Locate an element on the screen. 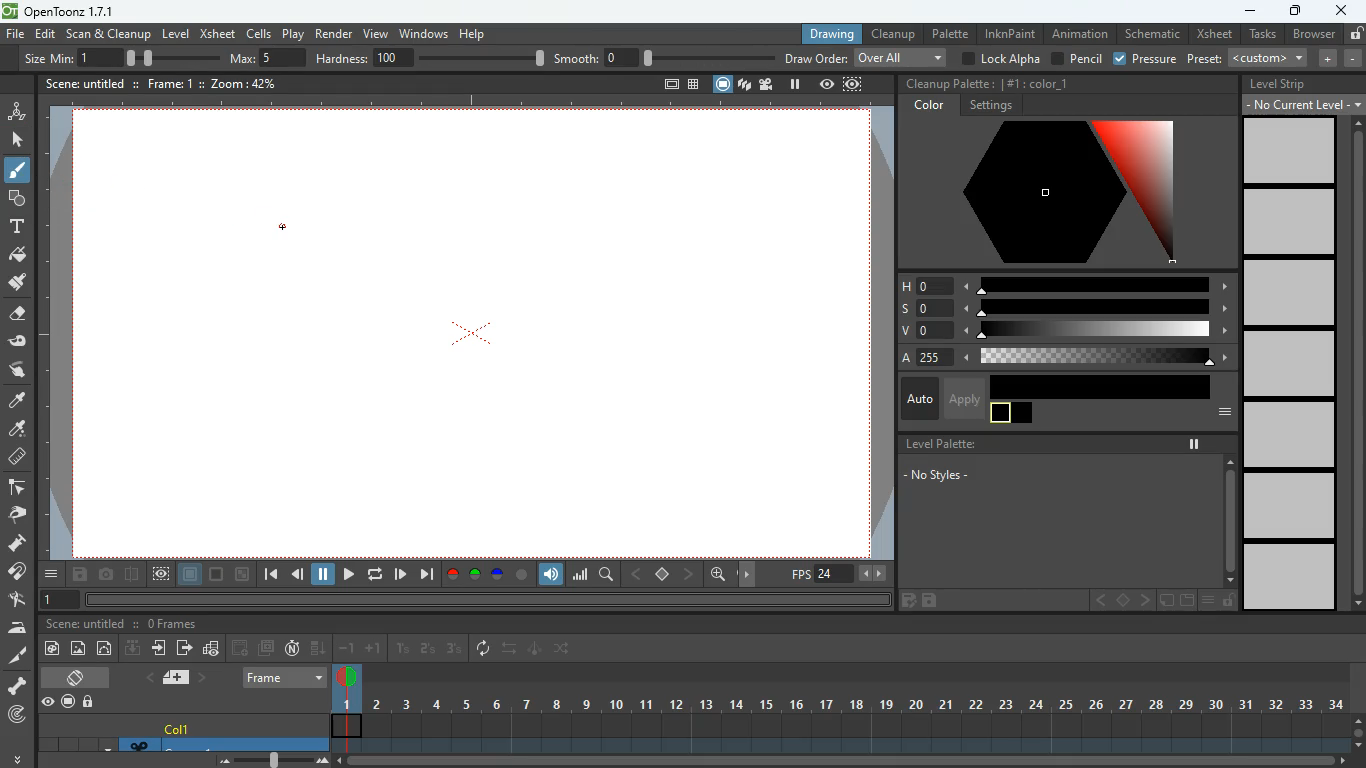 This screenshot has height=768, width=1366. -1 is located at coordinates (347, 647).